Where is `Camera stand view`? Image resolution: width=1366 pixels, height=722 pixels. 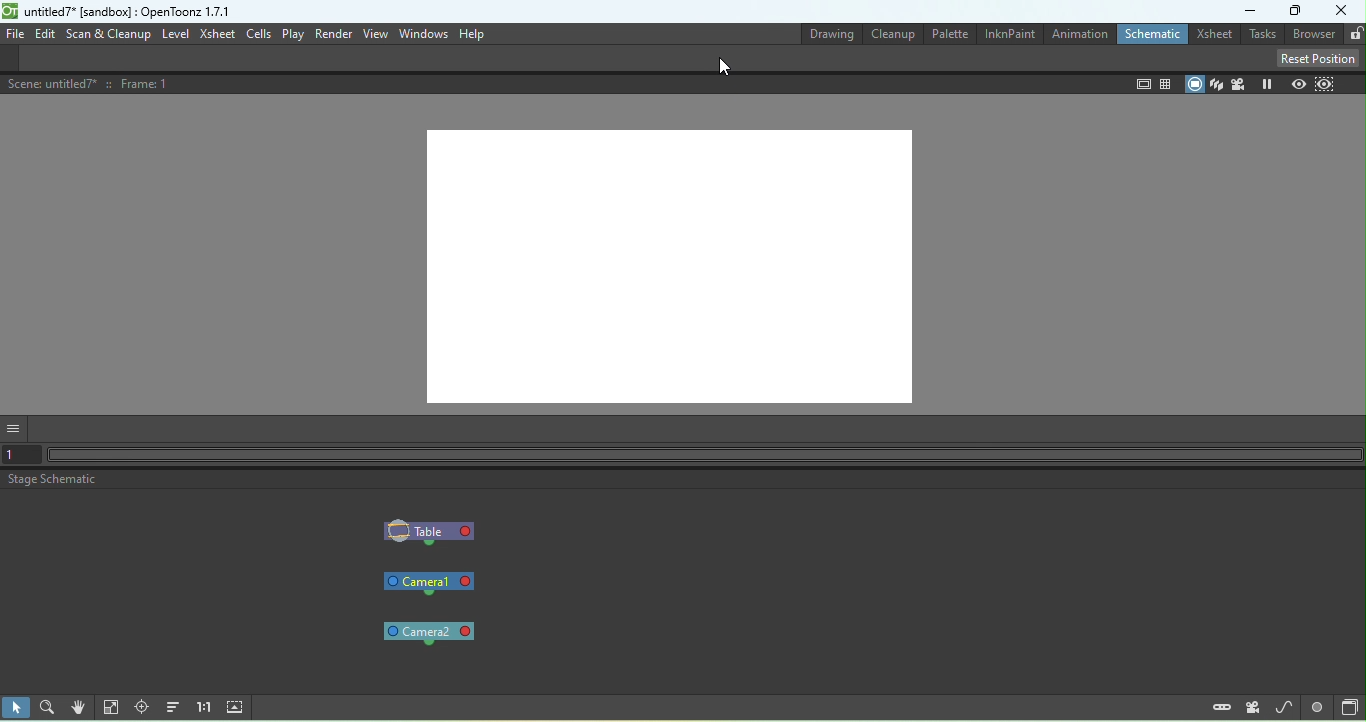 Camera stand view is located at coordinates (1194, 84).